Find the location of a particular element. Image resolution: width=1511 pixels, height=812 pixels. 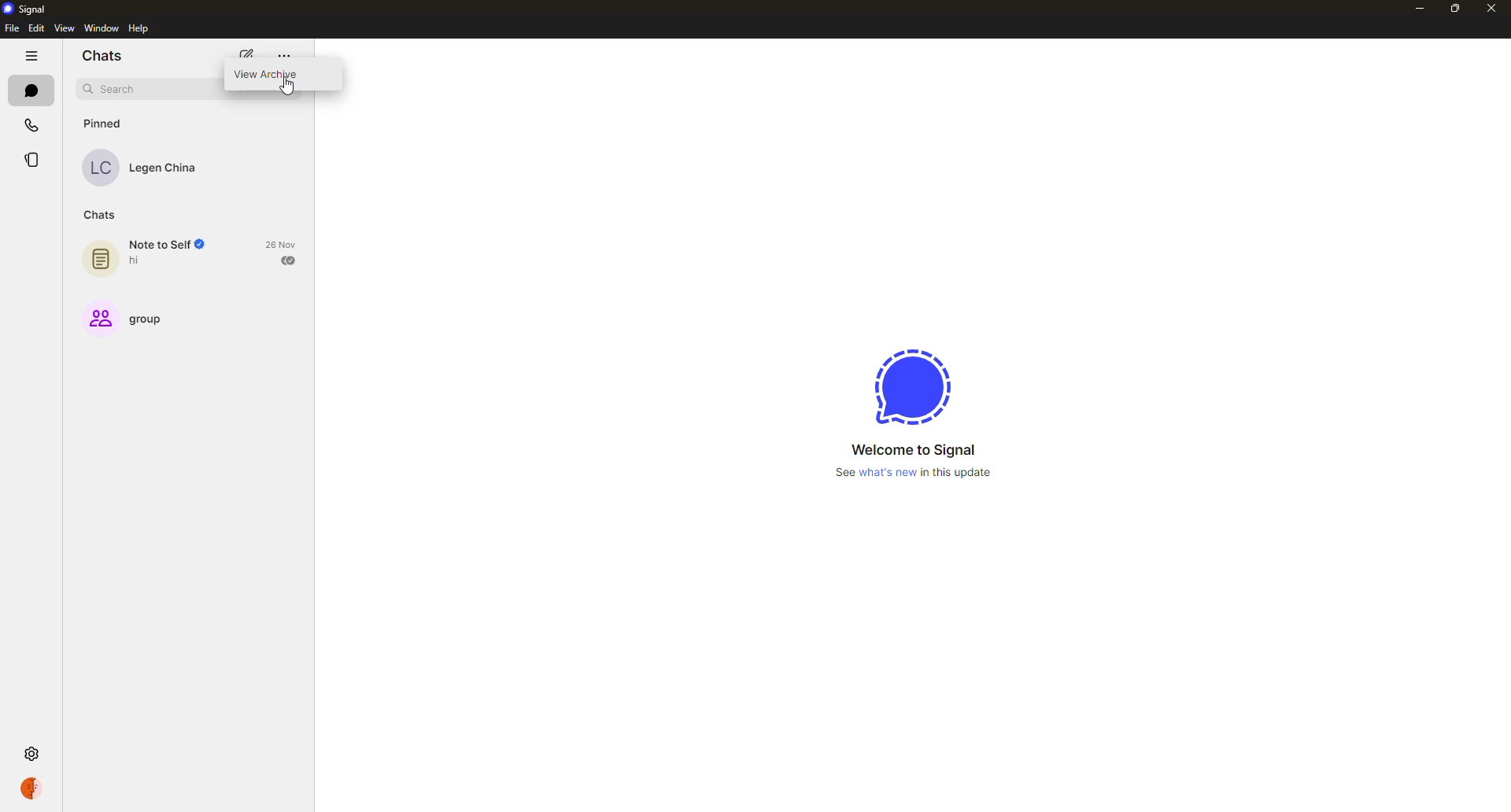

stories is located at coordinates (29, 162).